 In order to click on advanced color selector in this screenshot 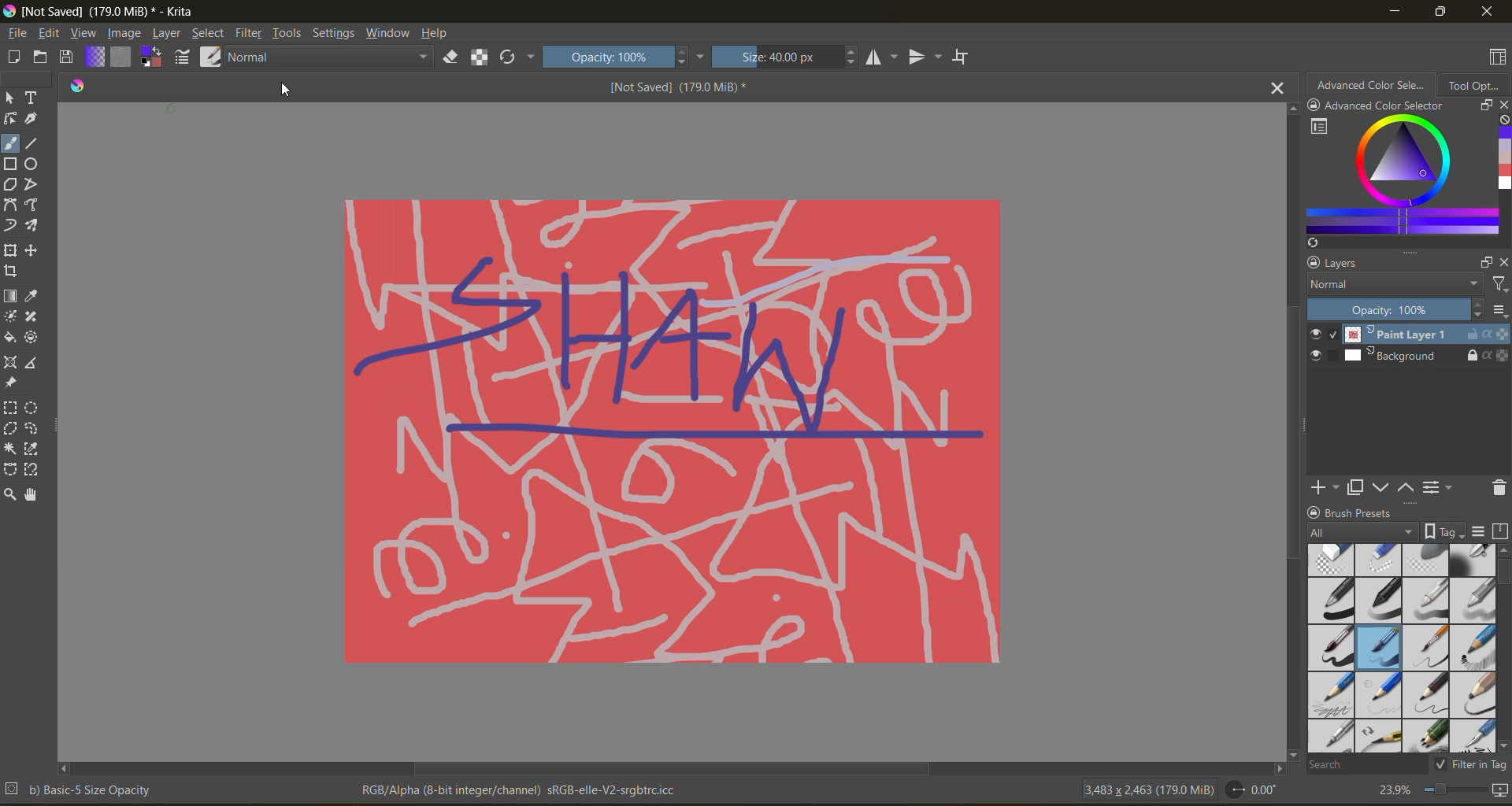, I will do `click(1373, 85)`.